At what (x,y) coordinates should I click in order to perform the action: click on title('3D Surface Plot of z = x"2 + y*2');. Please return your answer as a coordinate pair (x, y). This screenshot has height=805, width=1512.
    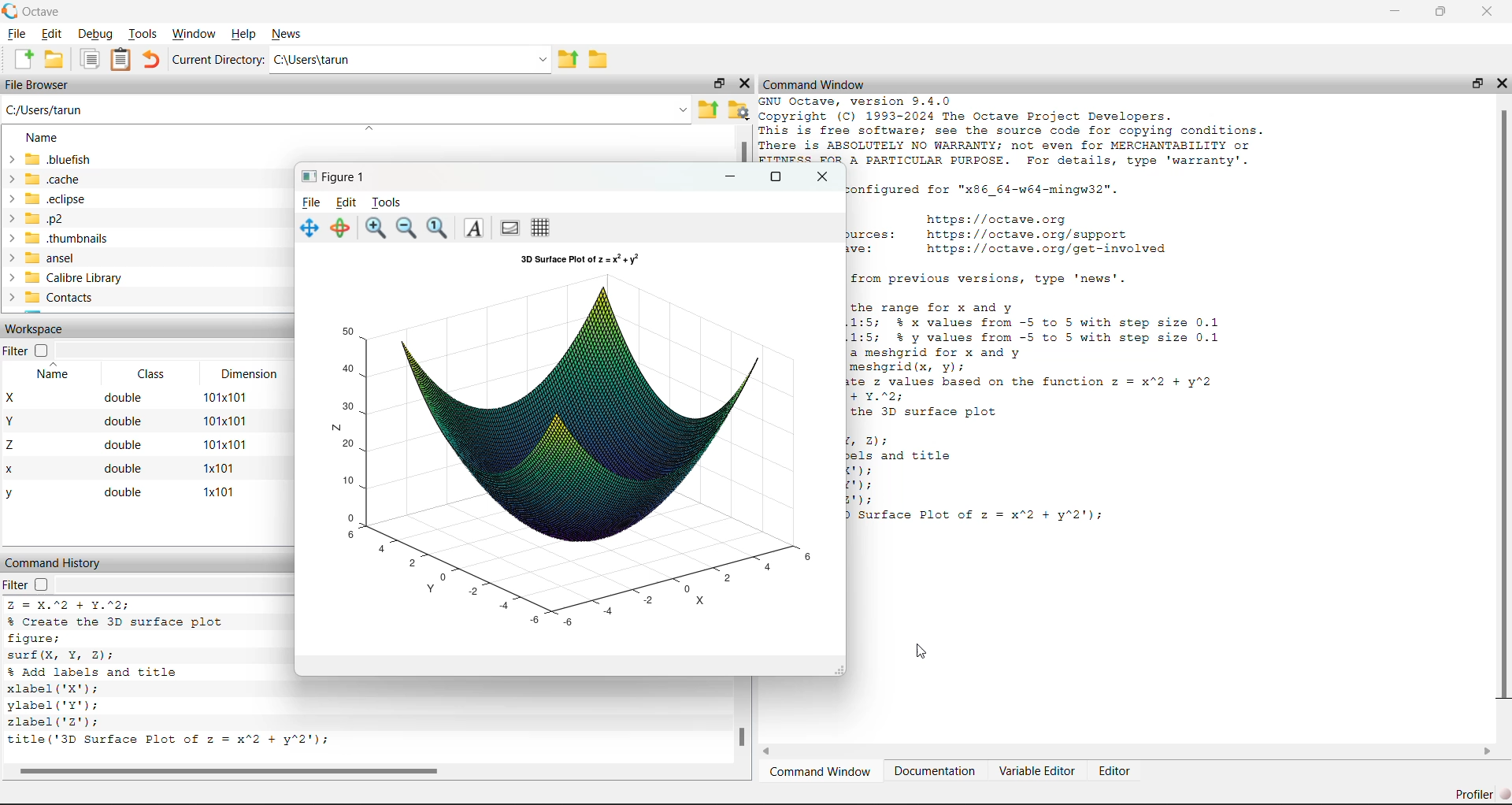
    Looking at the image, I should click on (176, 740).